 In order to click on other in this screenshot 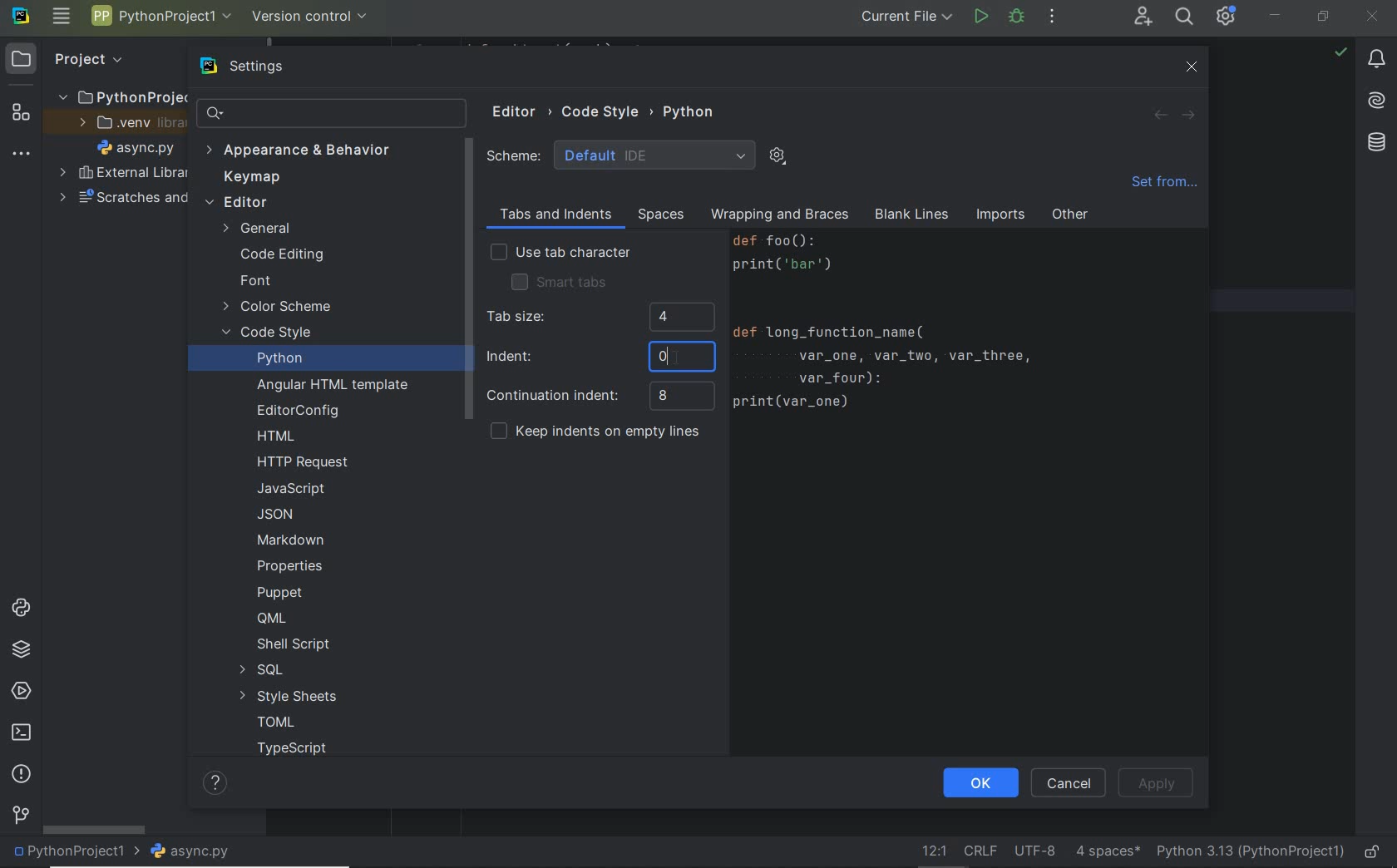, I will do `click(1070, 218)`.